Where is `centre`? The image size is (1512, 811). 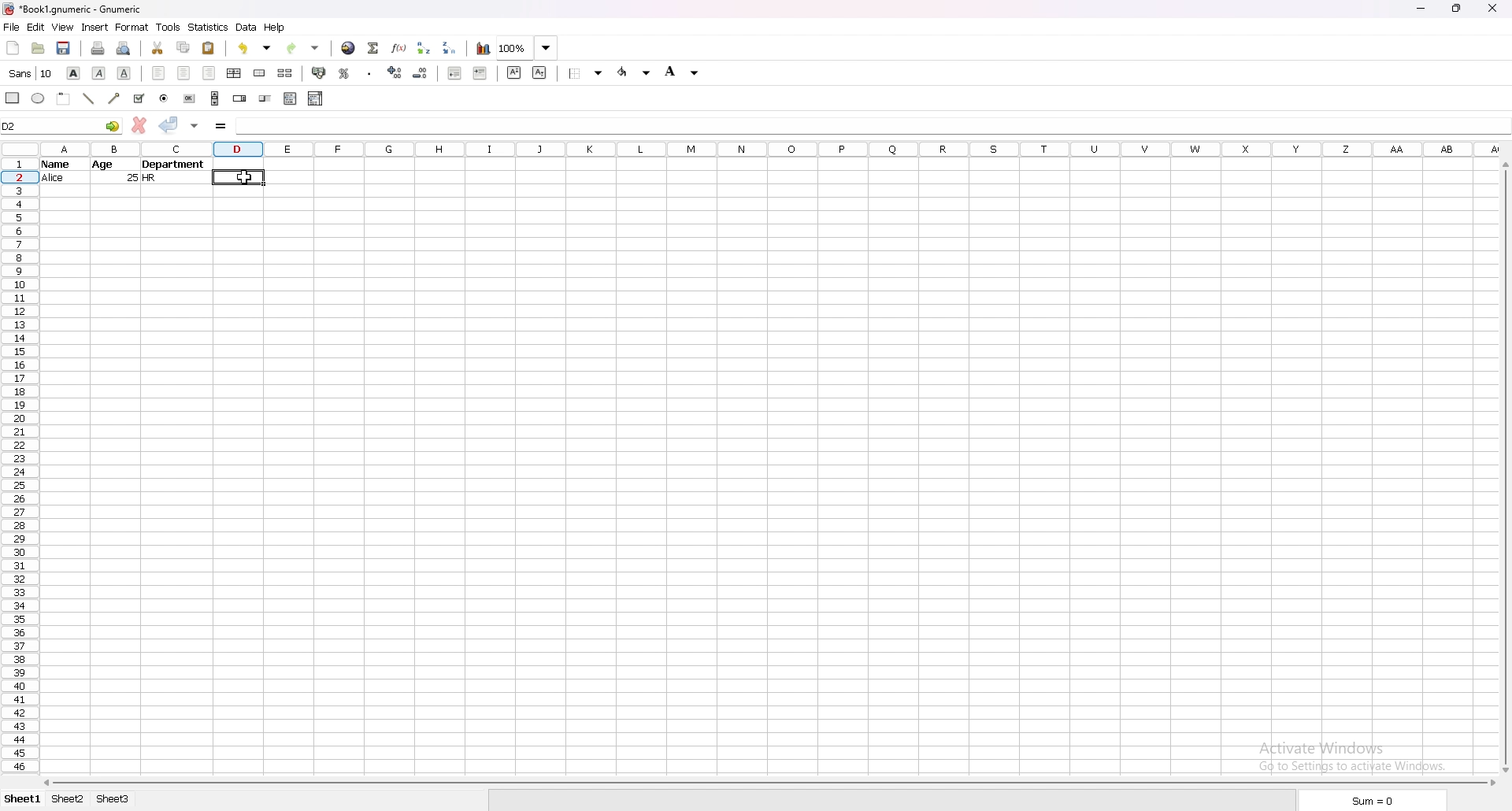 centre is located at coordinates (183, 72).